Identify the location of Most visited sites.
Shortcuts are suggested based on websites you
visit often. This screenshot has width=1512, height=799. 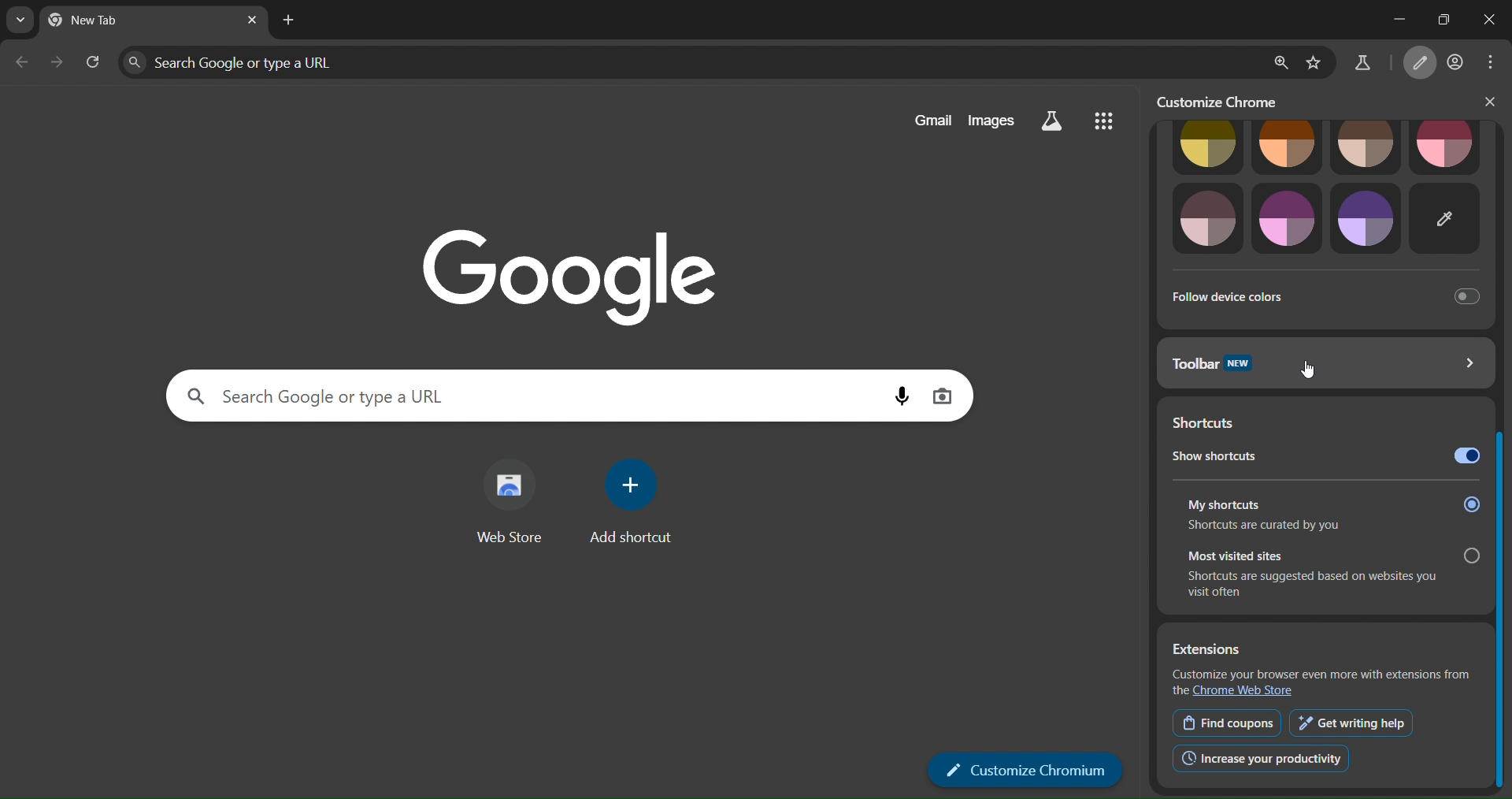
(1325, 574).